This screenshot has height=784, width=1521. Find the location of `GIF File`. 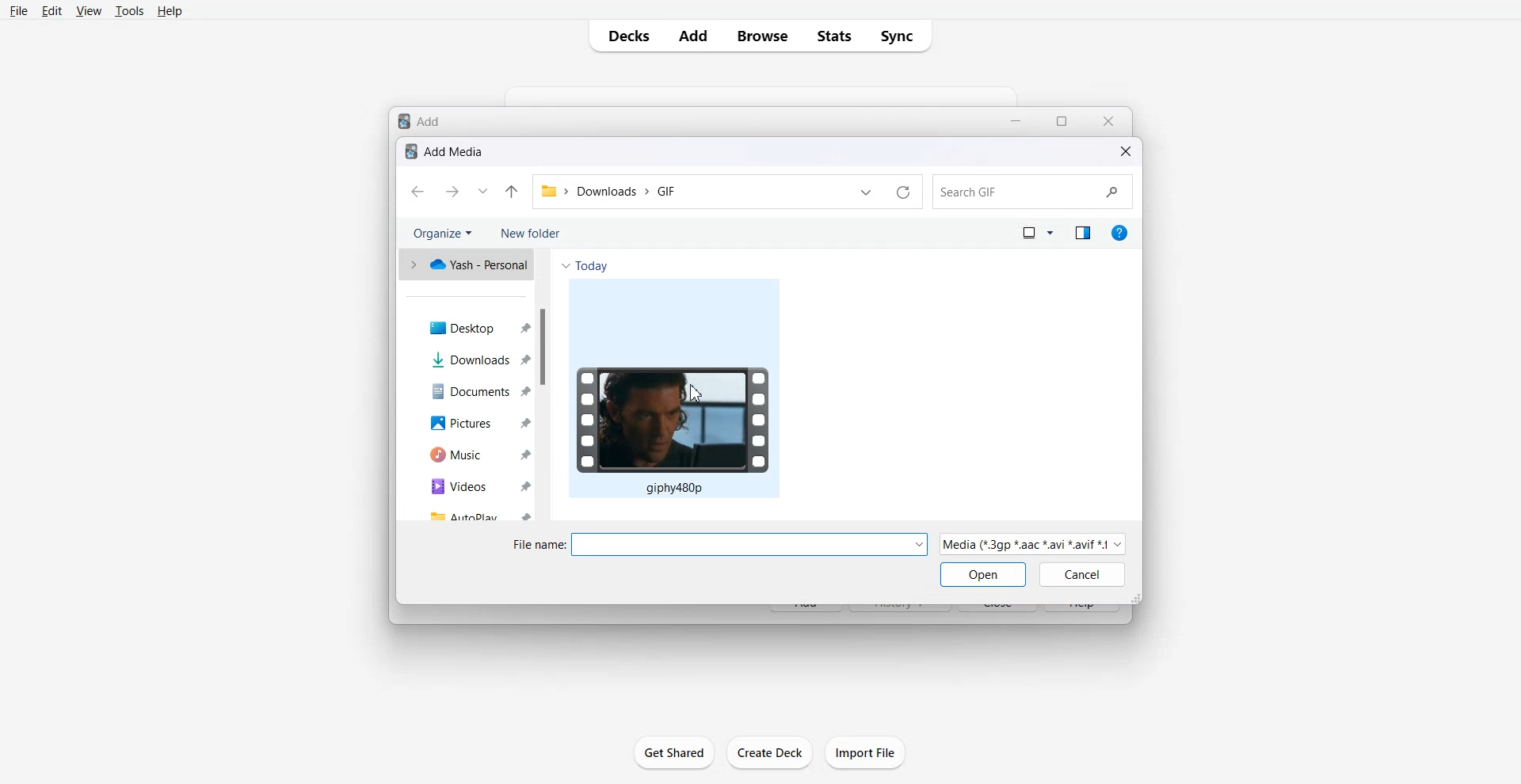

GIF File is located at coordinates (673, 391).